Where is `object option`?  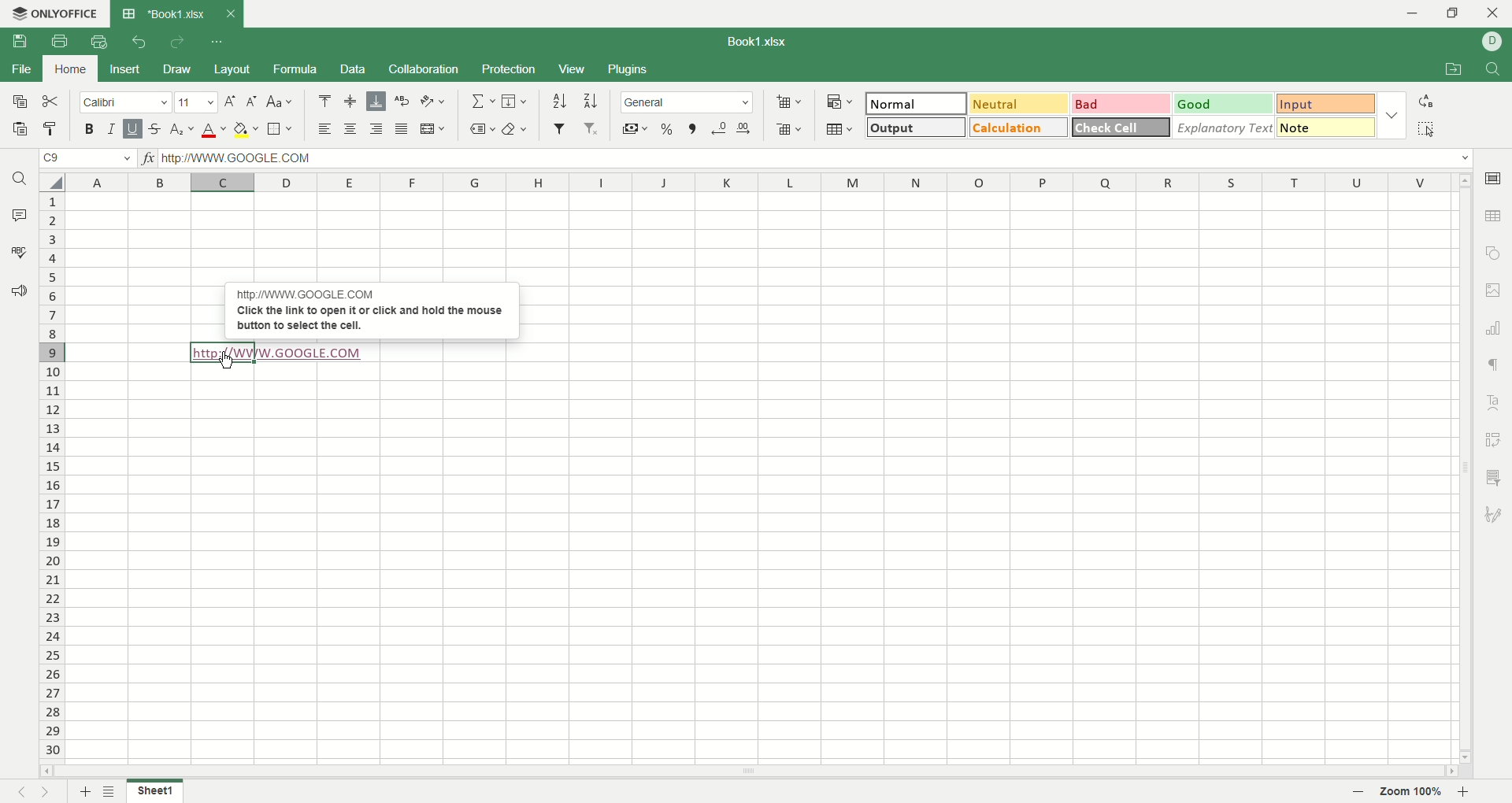 object option is located at coordinates (1495, 252).